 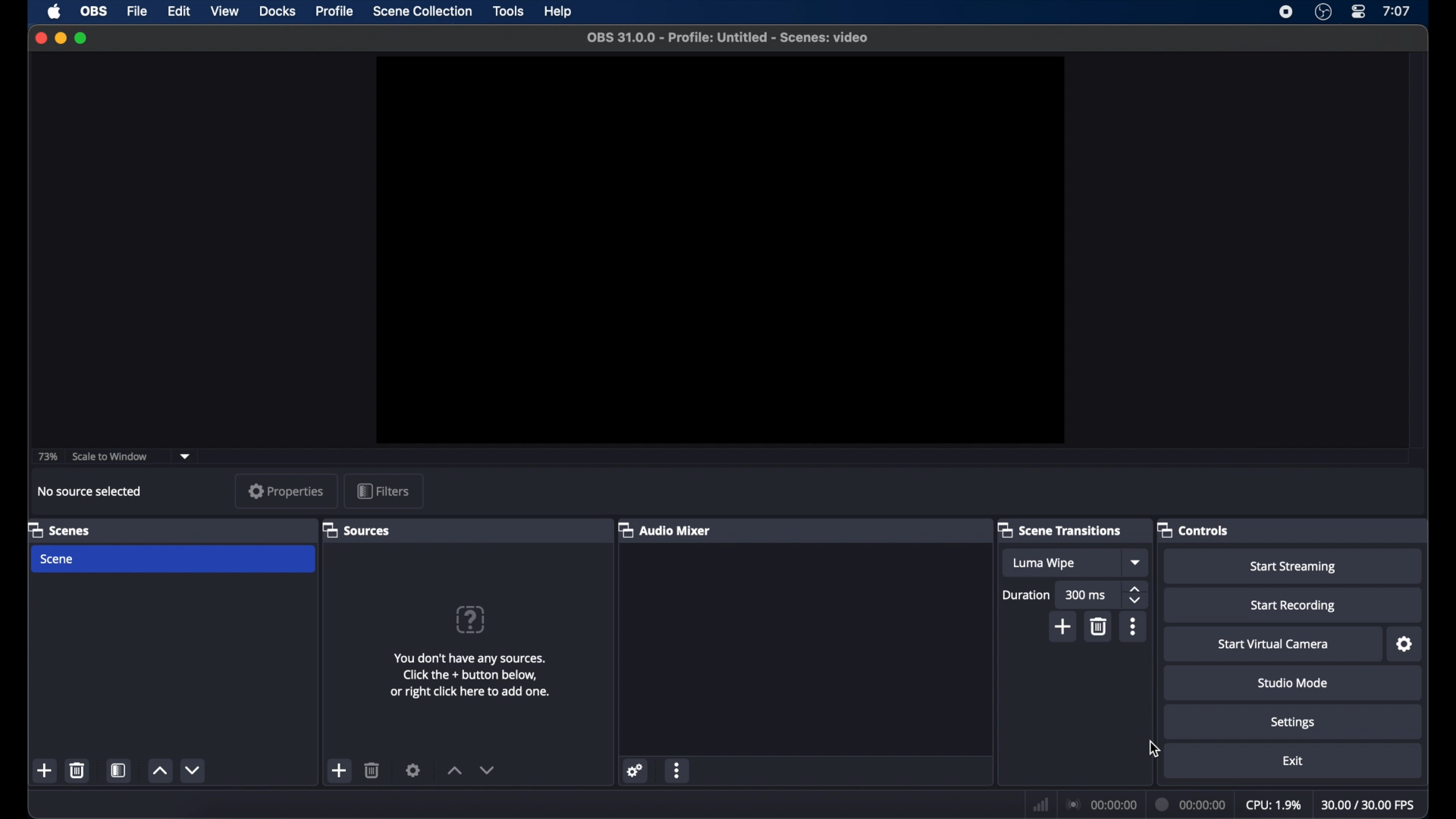 I want to click on close, so click(x=40, y=38).